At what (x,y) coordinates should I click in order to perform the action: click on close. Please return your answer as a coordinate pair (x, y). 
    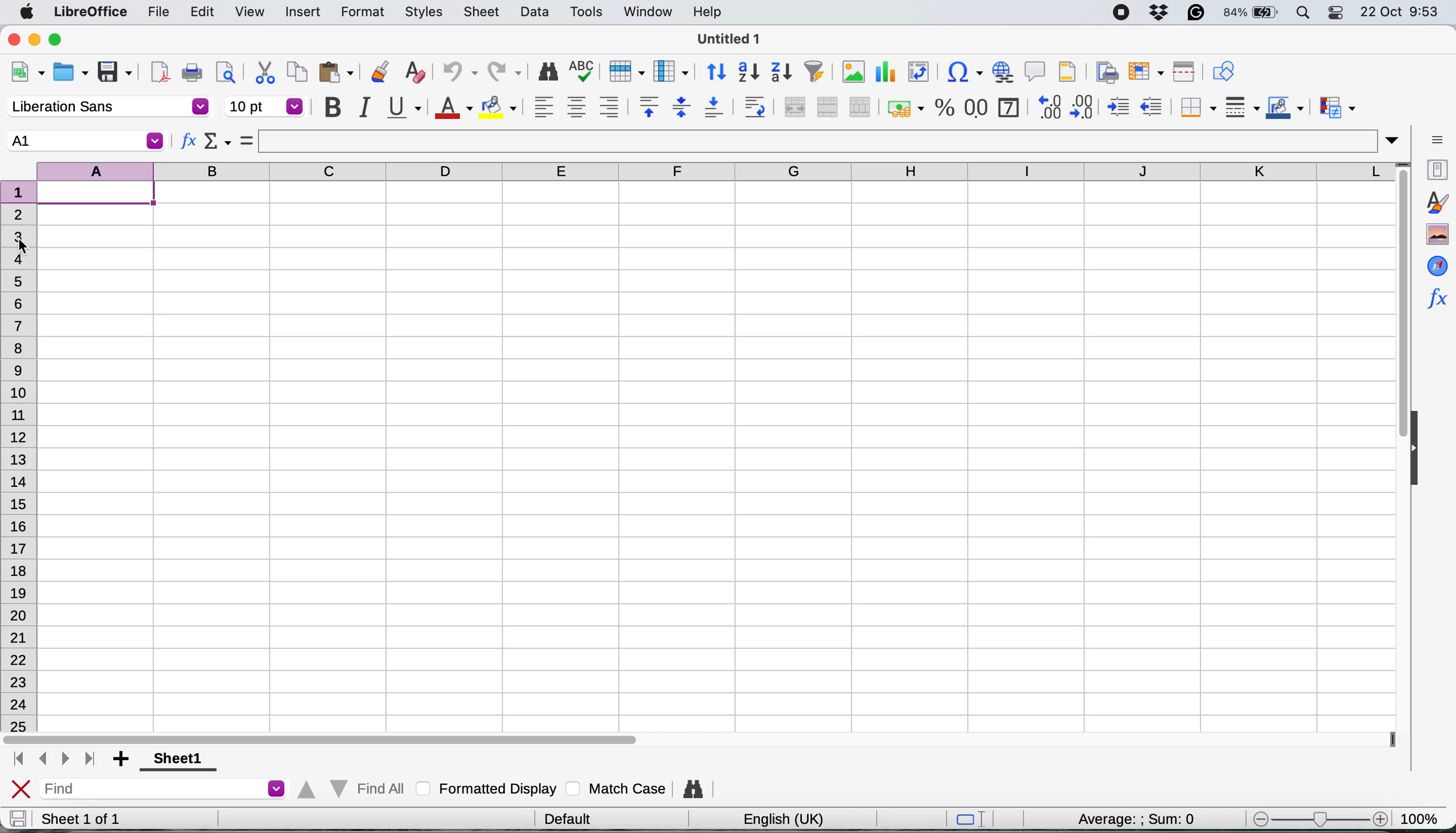
    Looking at the image, I should click on (21, 790).